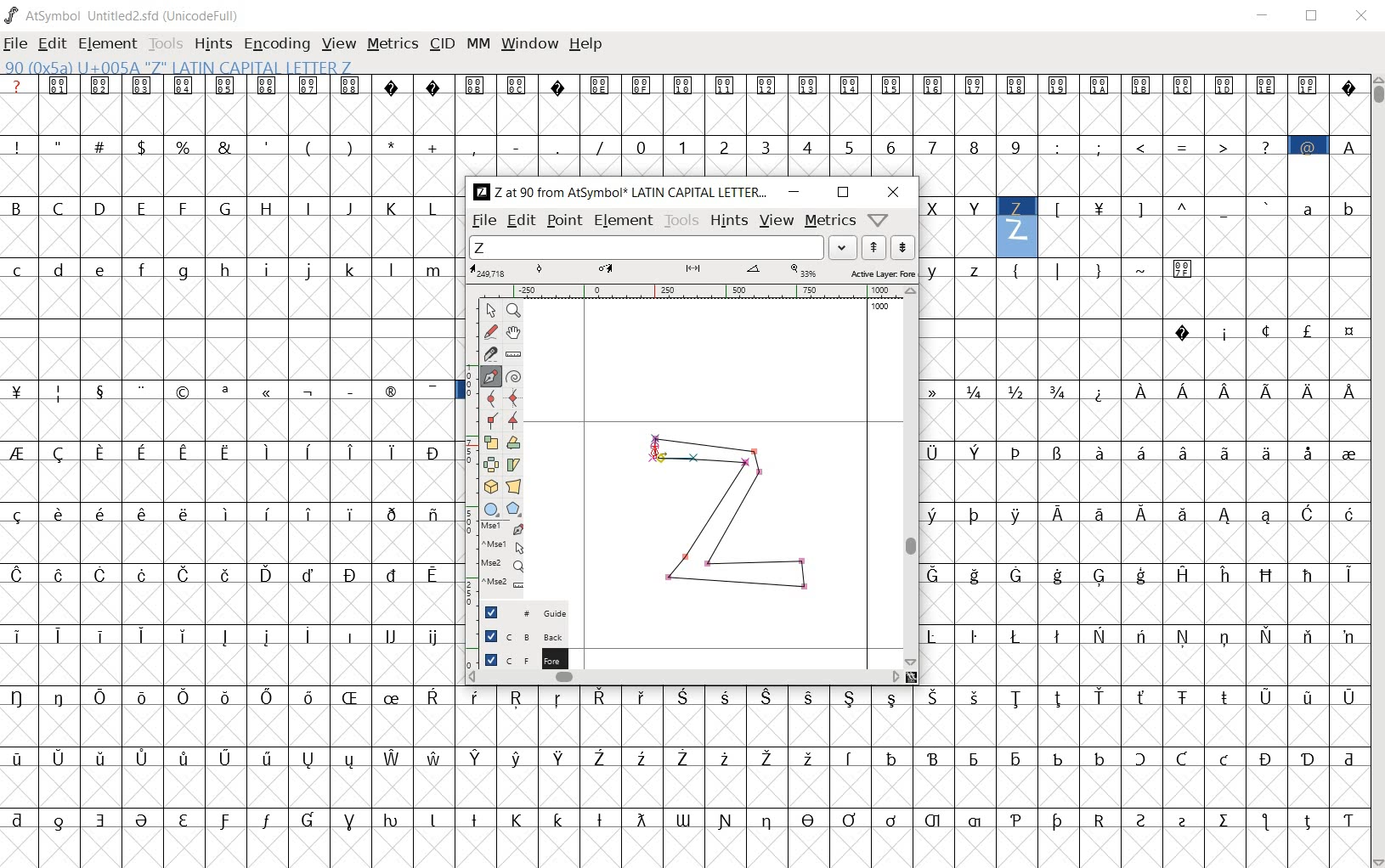  I want to click on load word list, so click(665, 247).